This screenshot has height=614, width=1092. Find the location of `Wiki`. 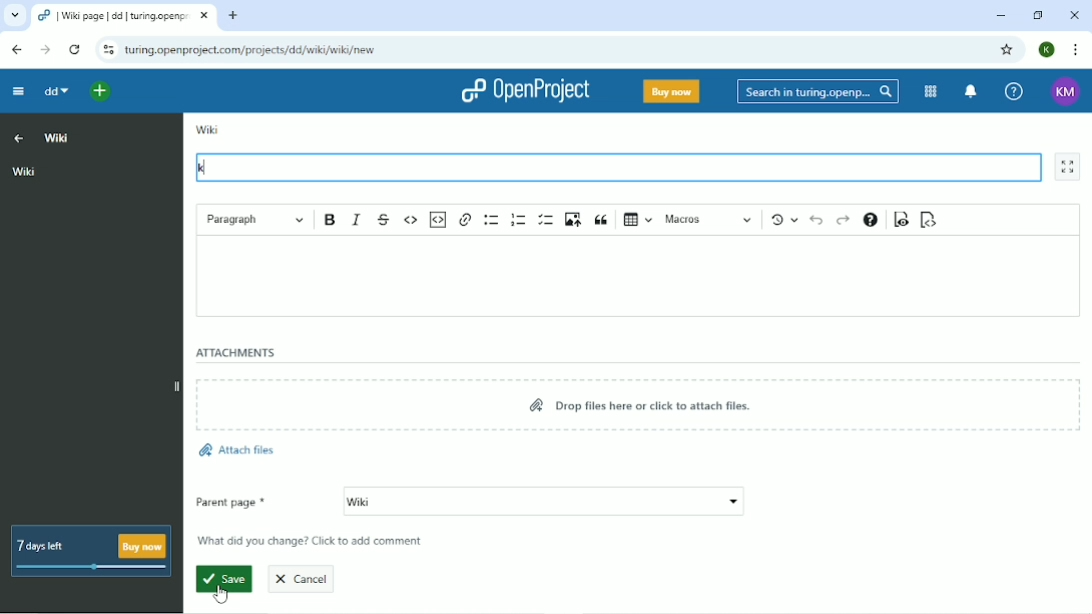

Wiki is located at coordinates (92, 169).